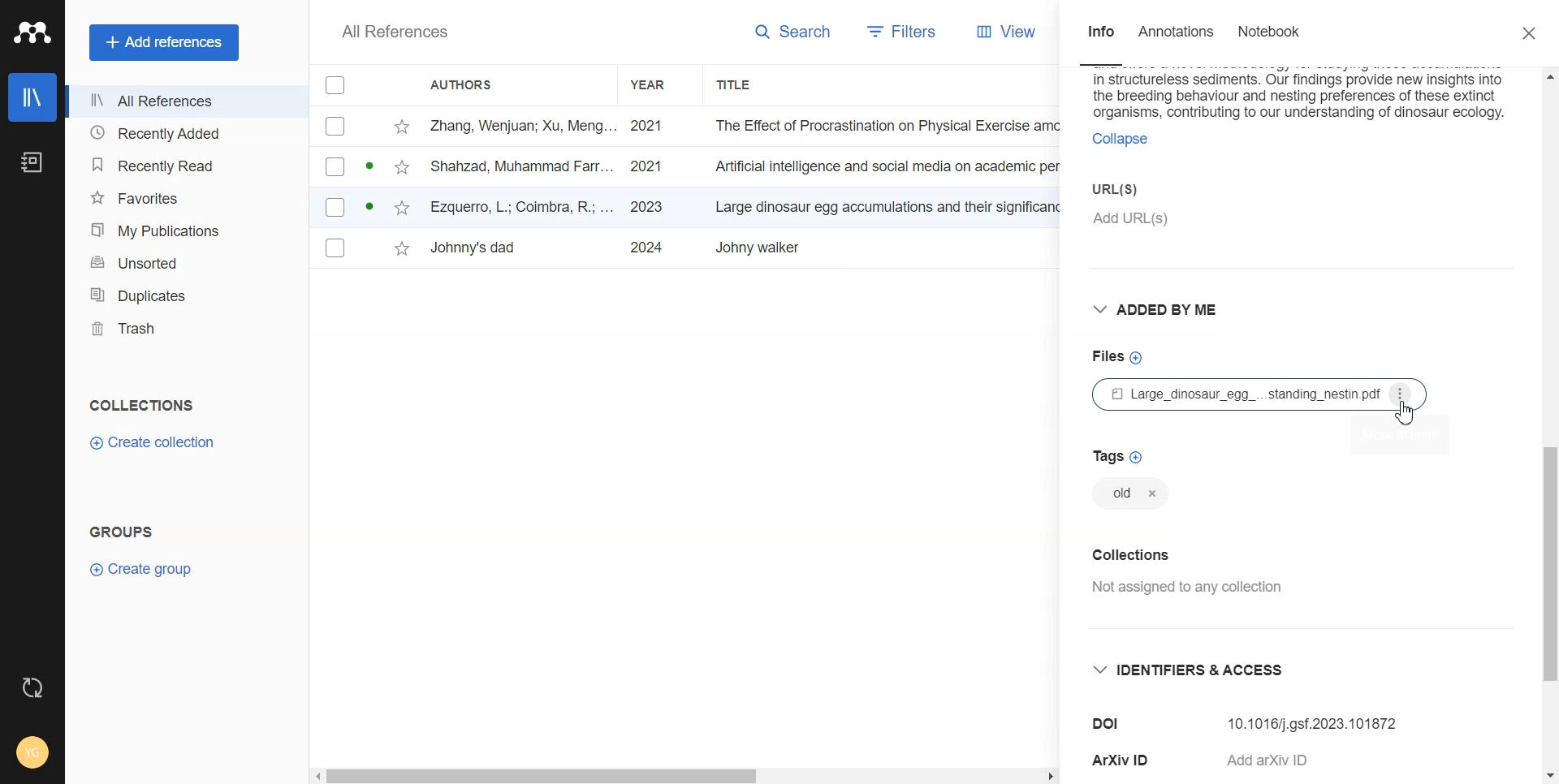  What do you see at coordinates (646, 127) in the screenshot?
I see `2021` at bounding box center [646, 127].